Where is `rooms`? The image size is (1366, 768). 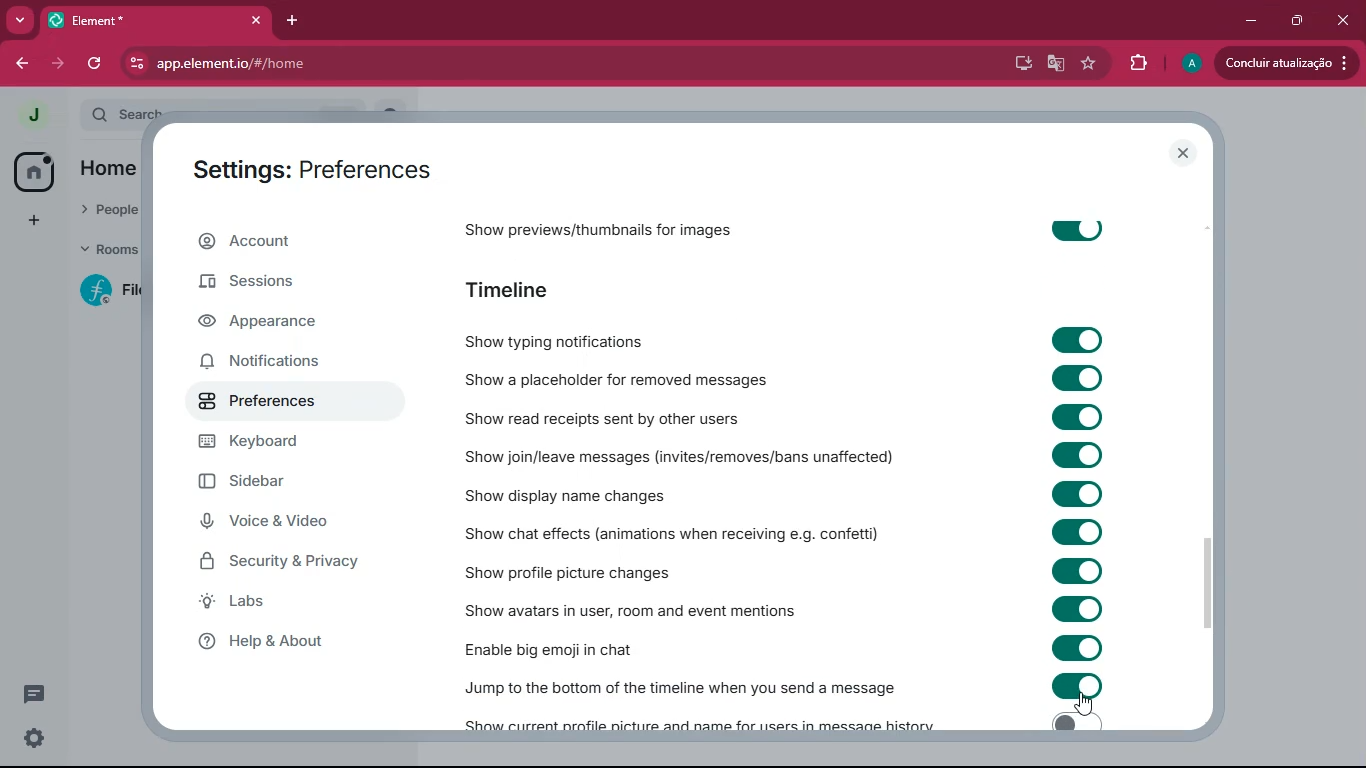
rooms is located at coordinates (107, 252).